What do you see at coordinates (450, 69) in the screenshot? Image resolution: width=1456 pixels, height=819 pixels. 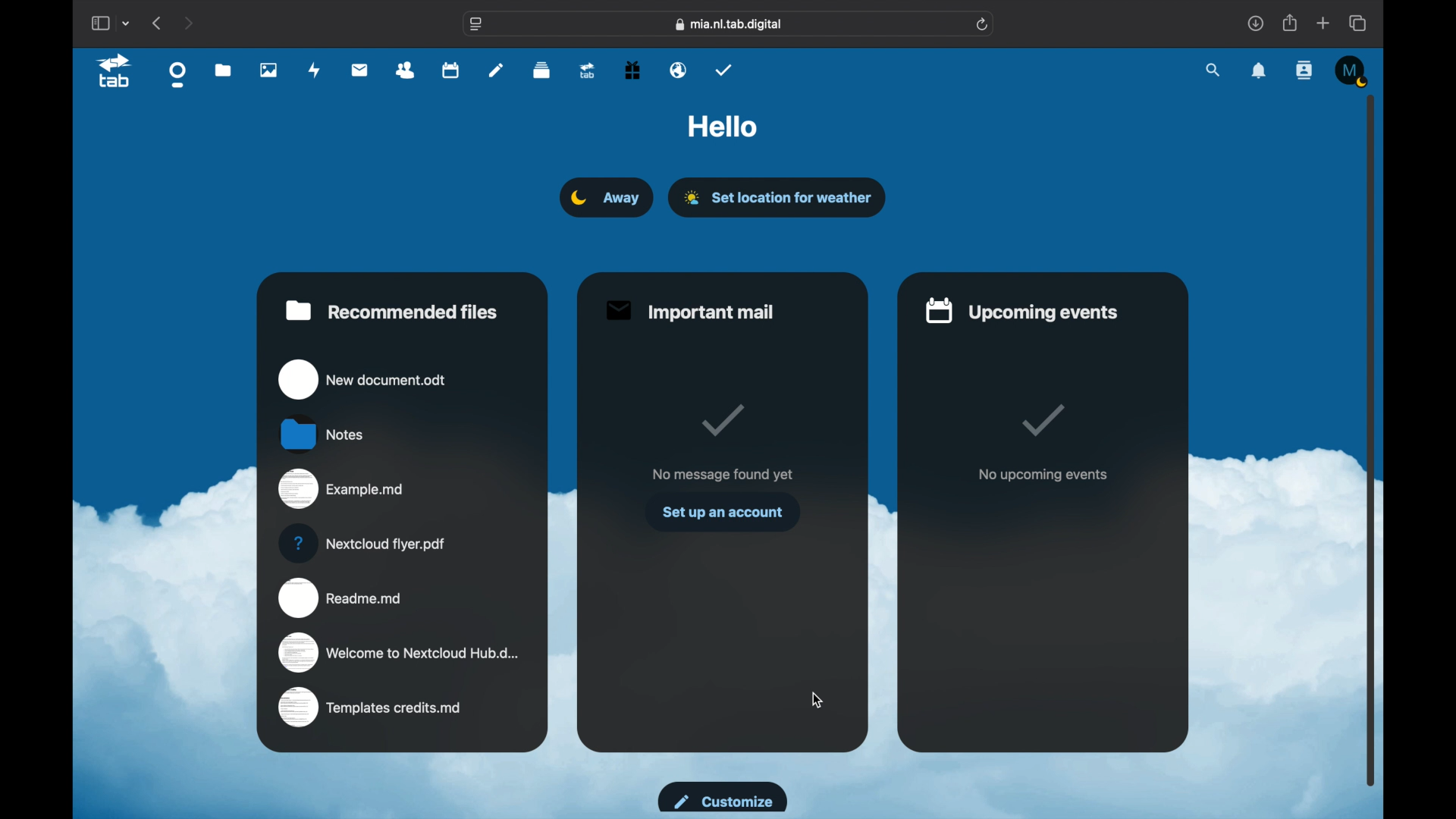 I see `calendar` at bounding box center [450, 69].